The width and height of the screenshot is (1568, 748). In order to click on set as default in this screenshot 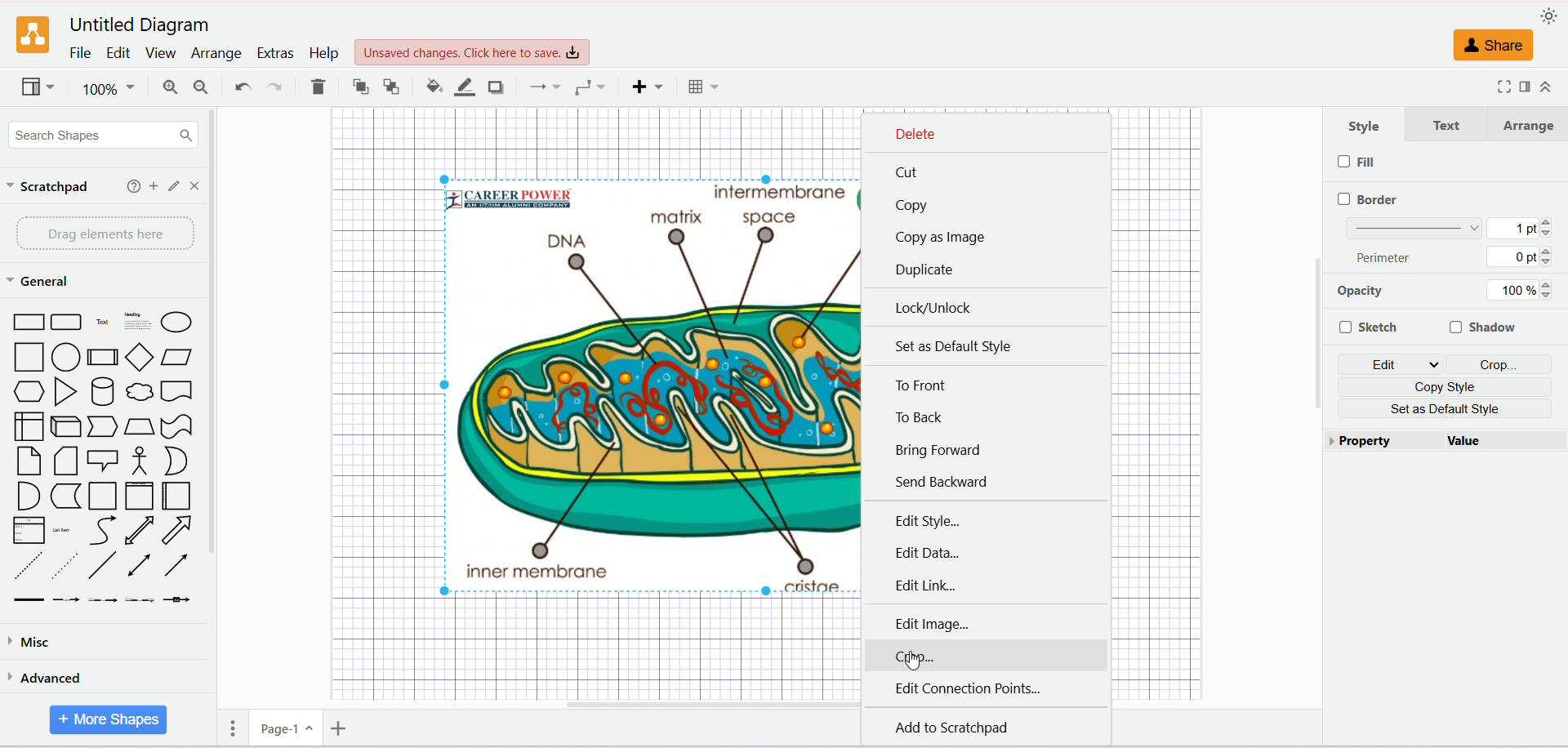, I will do `click(1449, 408)`.